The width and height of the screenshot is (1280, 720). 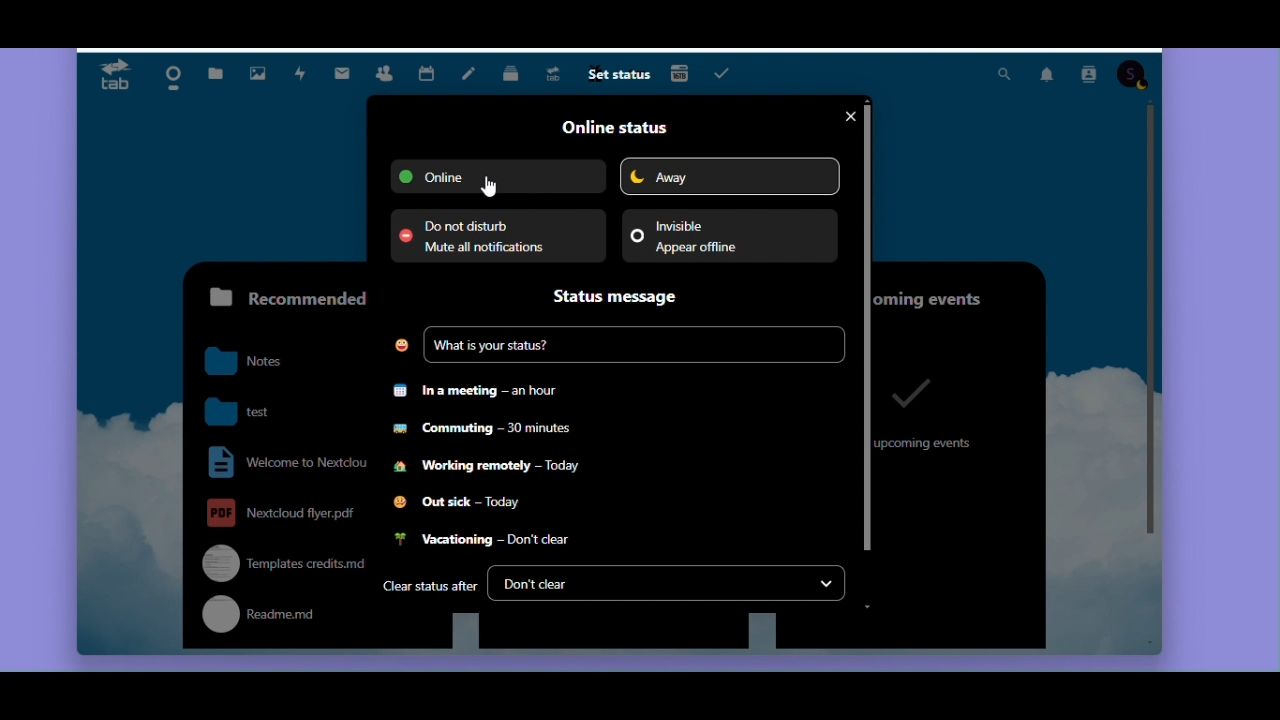 What do you see at coordinates (624, 297) in the screenshot?
I see `Status message` at bounding box center [624, 297].